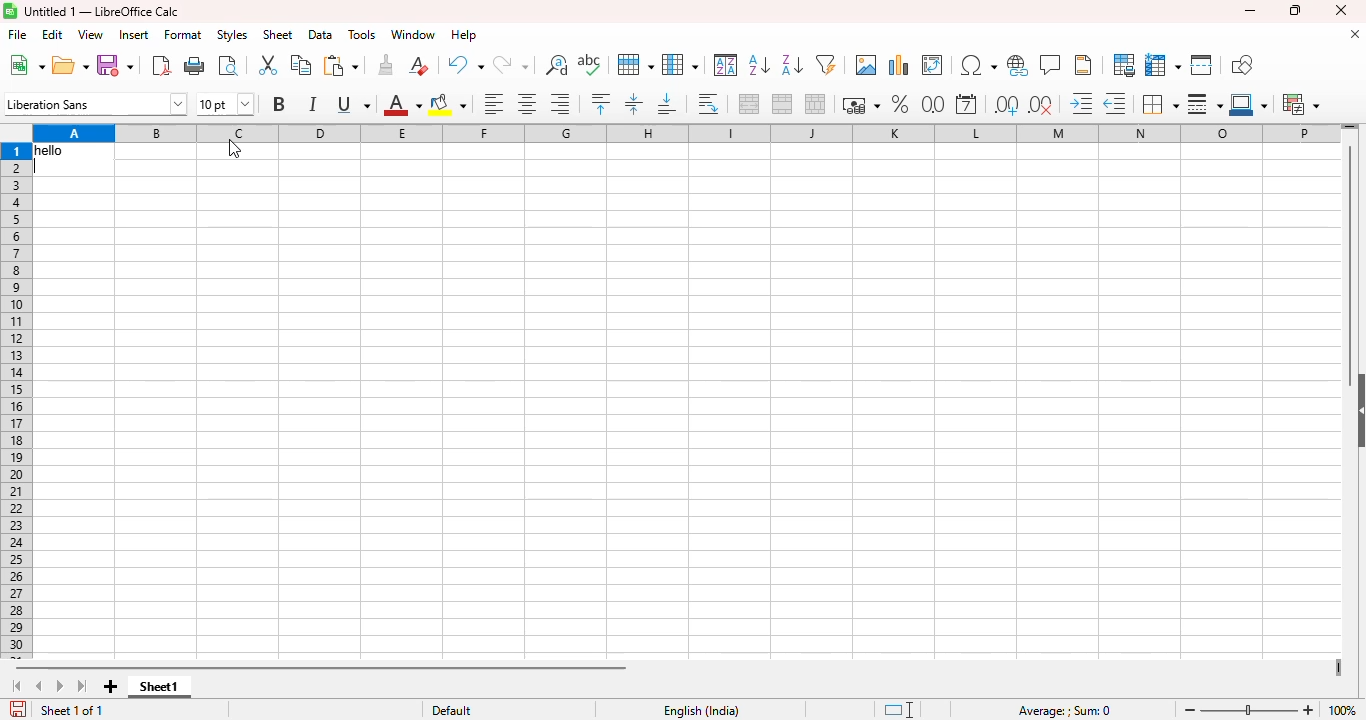 Image resolution: width=1366 pixels, height=720 pixels. Describe the element at coordinates (1340, 10) in the screenshot. I see `close` at that location.